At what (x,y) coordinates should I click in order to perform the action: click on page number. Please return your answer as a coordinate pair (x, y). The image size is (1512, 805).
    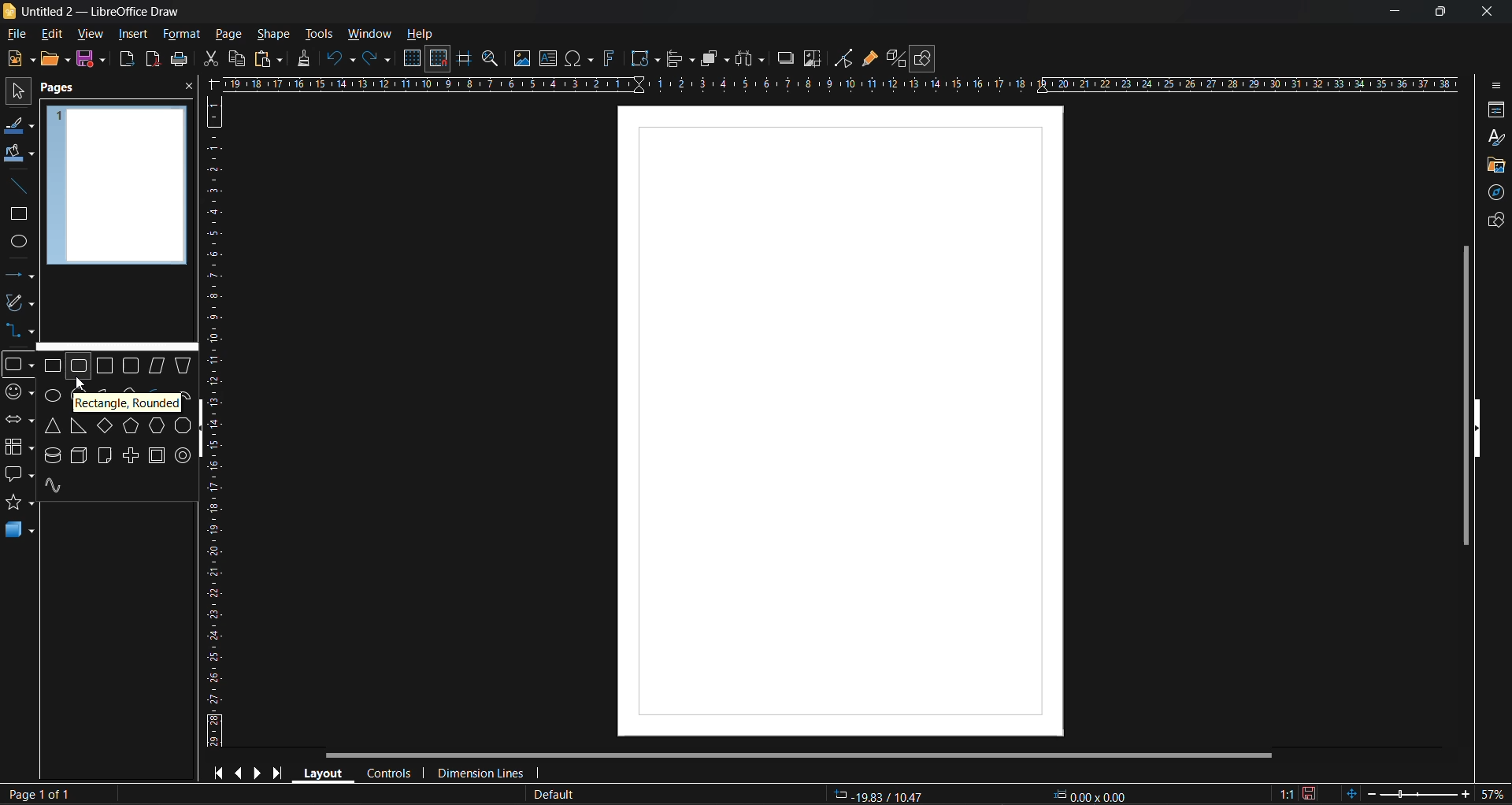
    Looking at the image, I should click on (36, 795).